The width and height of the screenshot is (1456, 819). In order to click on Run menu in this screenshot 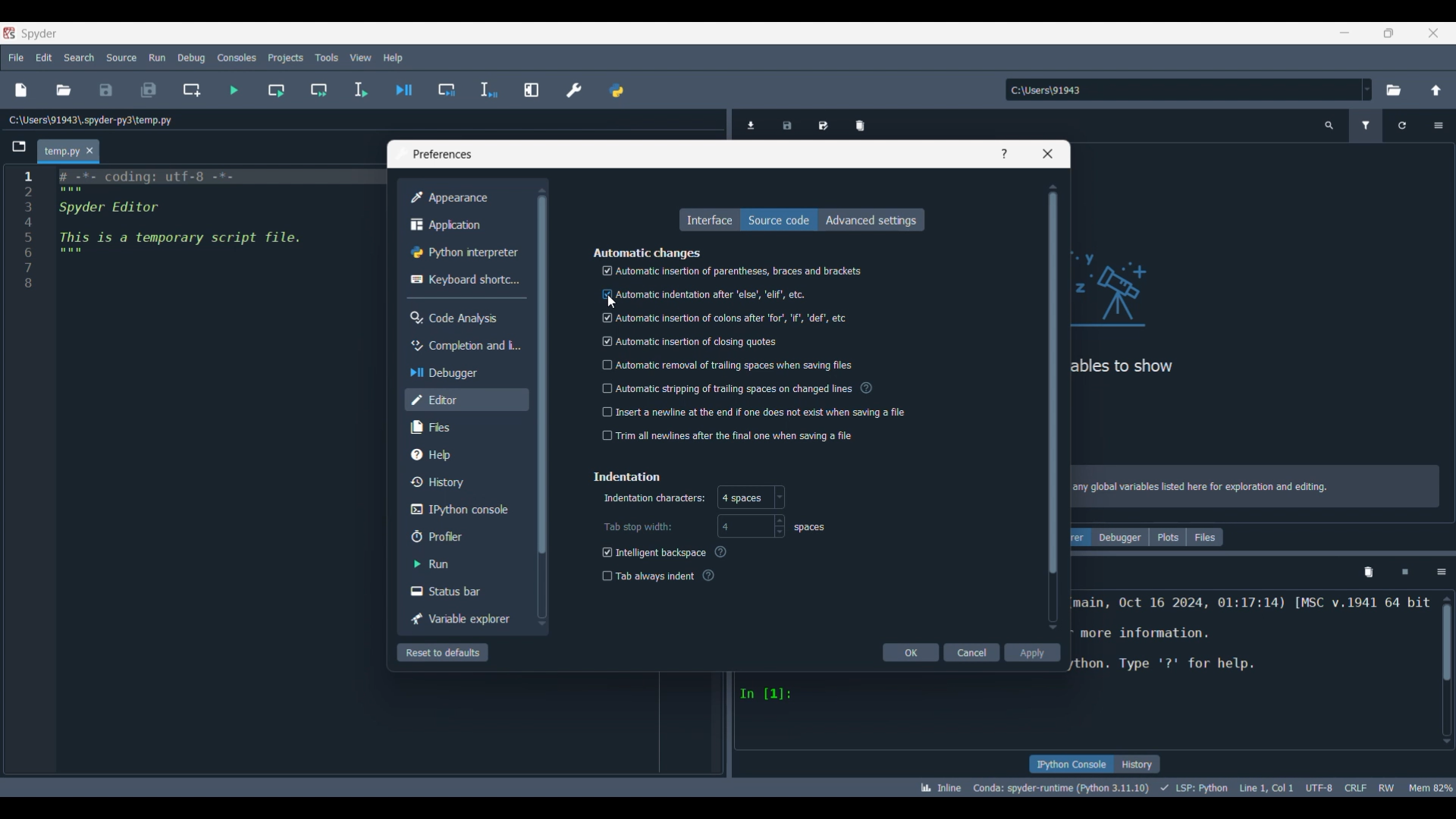, I will do `click(158, 58)`.